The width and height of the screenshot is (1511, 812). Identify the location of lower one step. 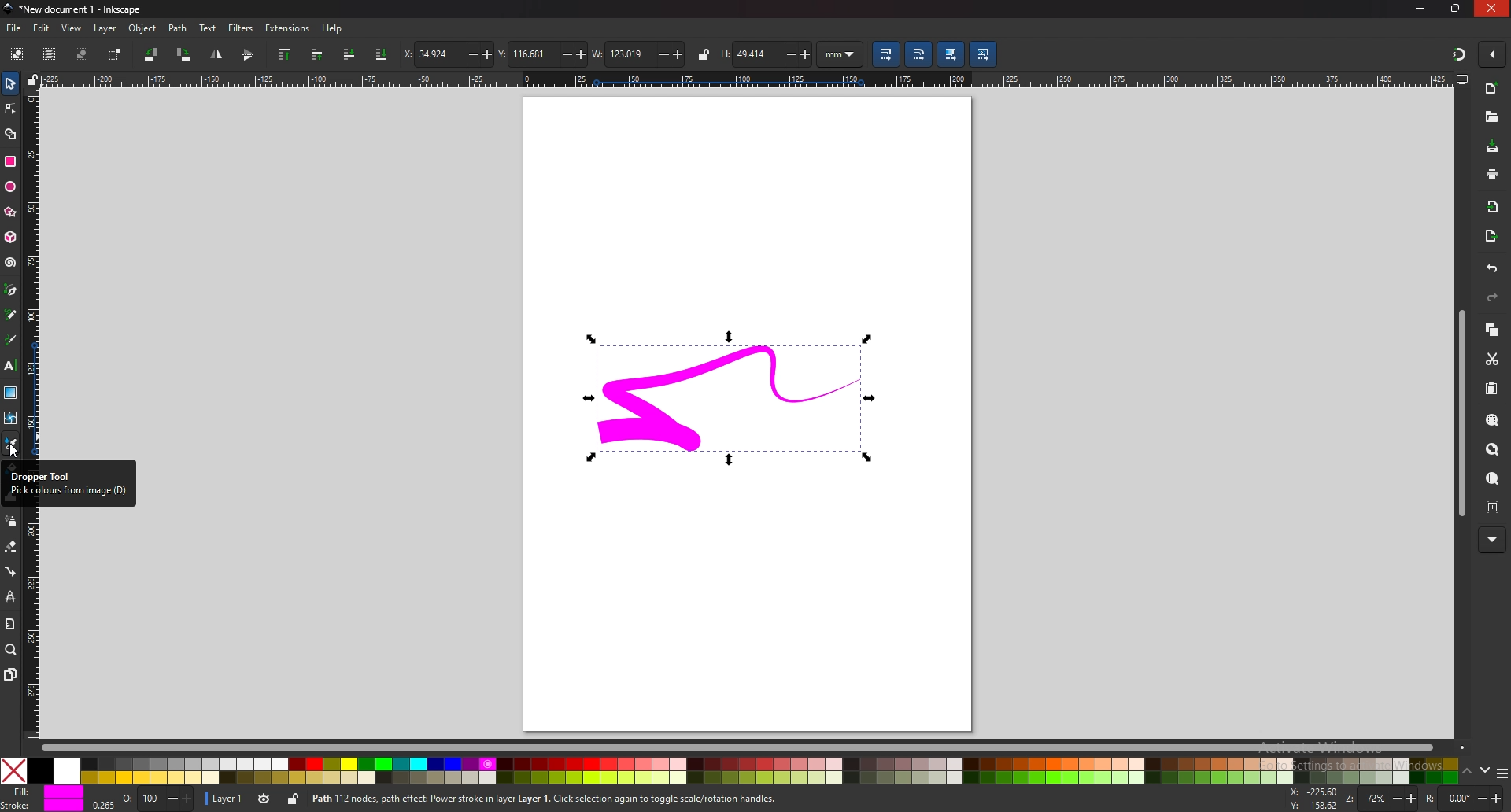
(350, 54).